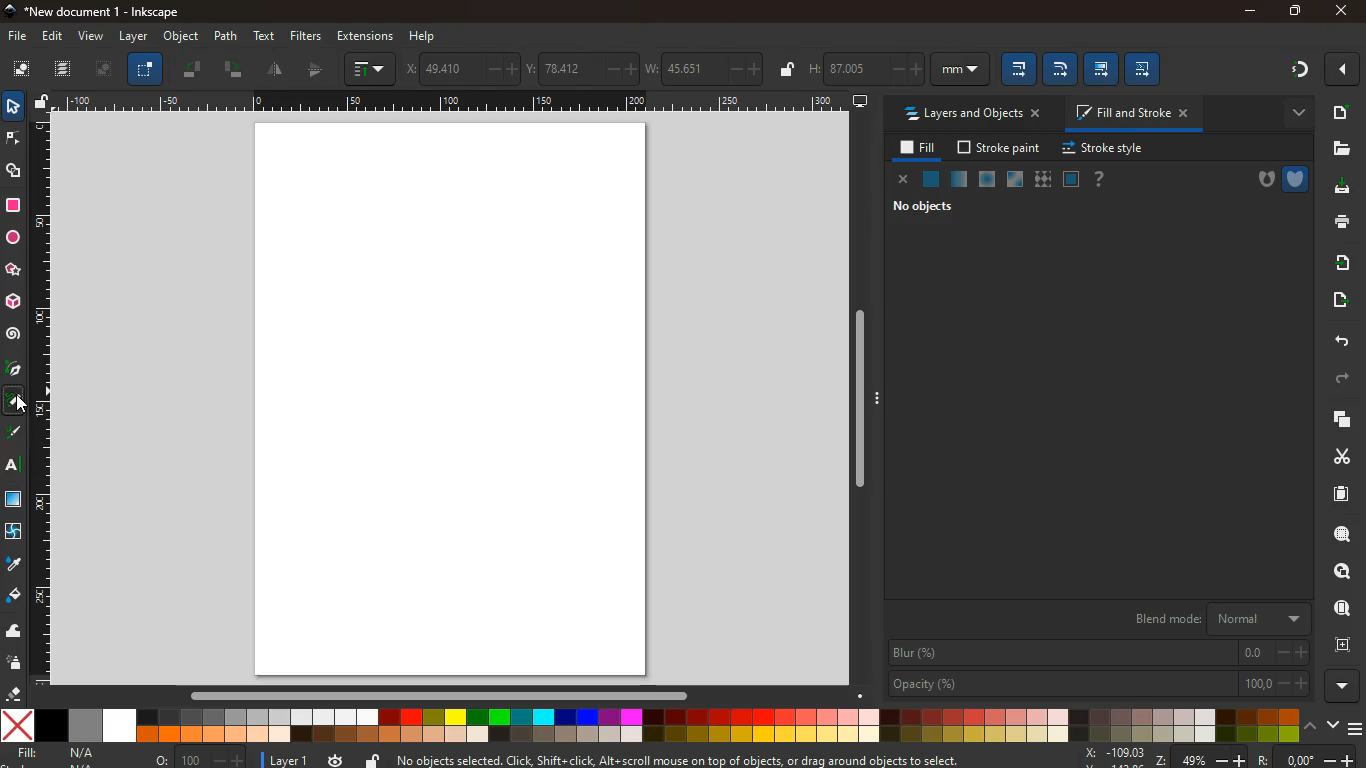 This screenshot has height=768, width=1366. I want to click on edge, so click(14, 142).